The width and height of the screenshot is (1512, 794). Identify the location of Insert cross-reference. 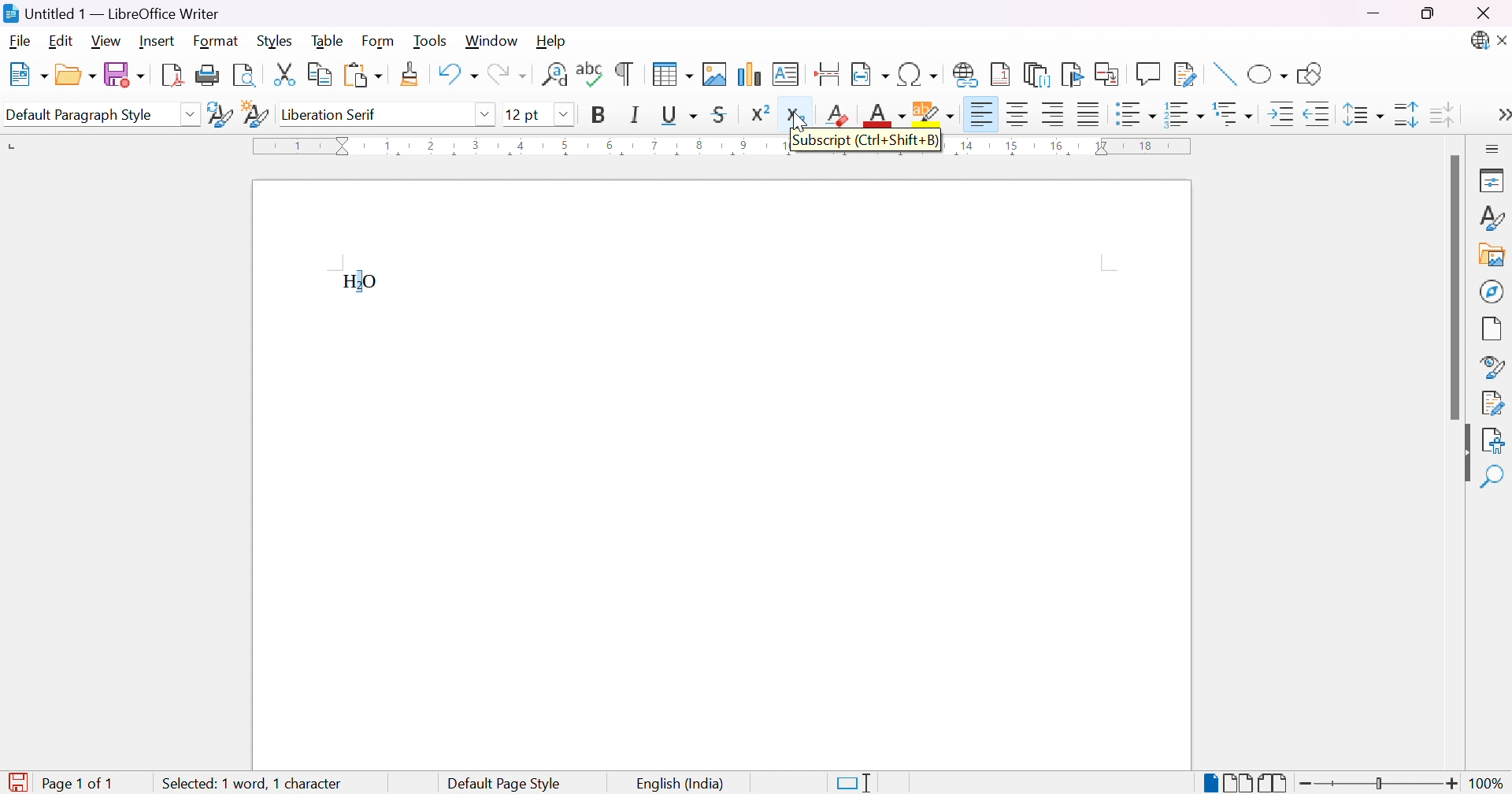
(1110, 72).